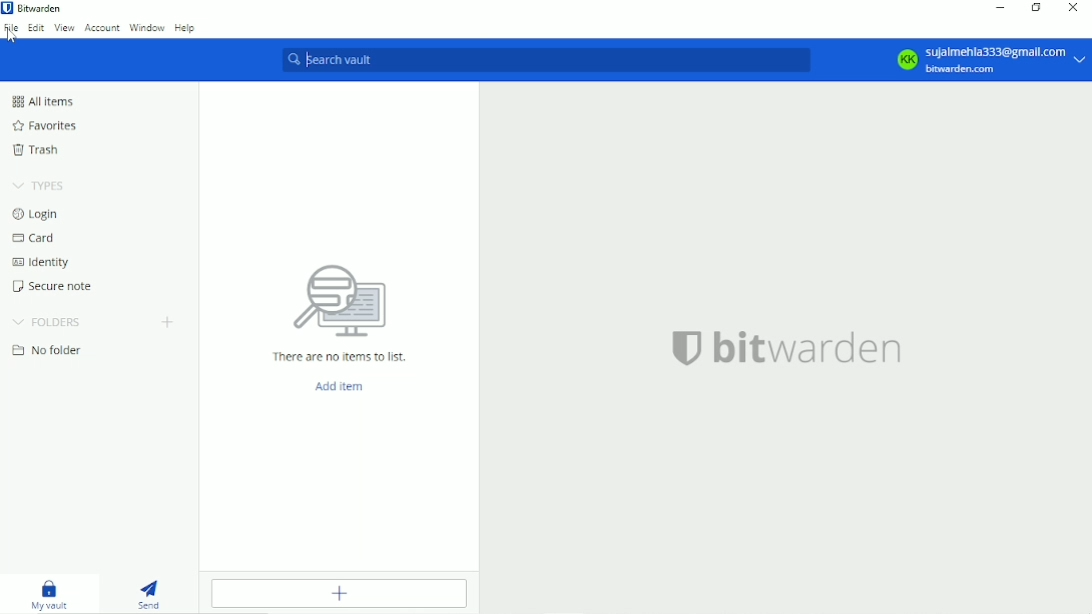  I want to click on Trash, so click(38, 152).